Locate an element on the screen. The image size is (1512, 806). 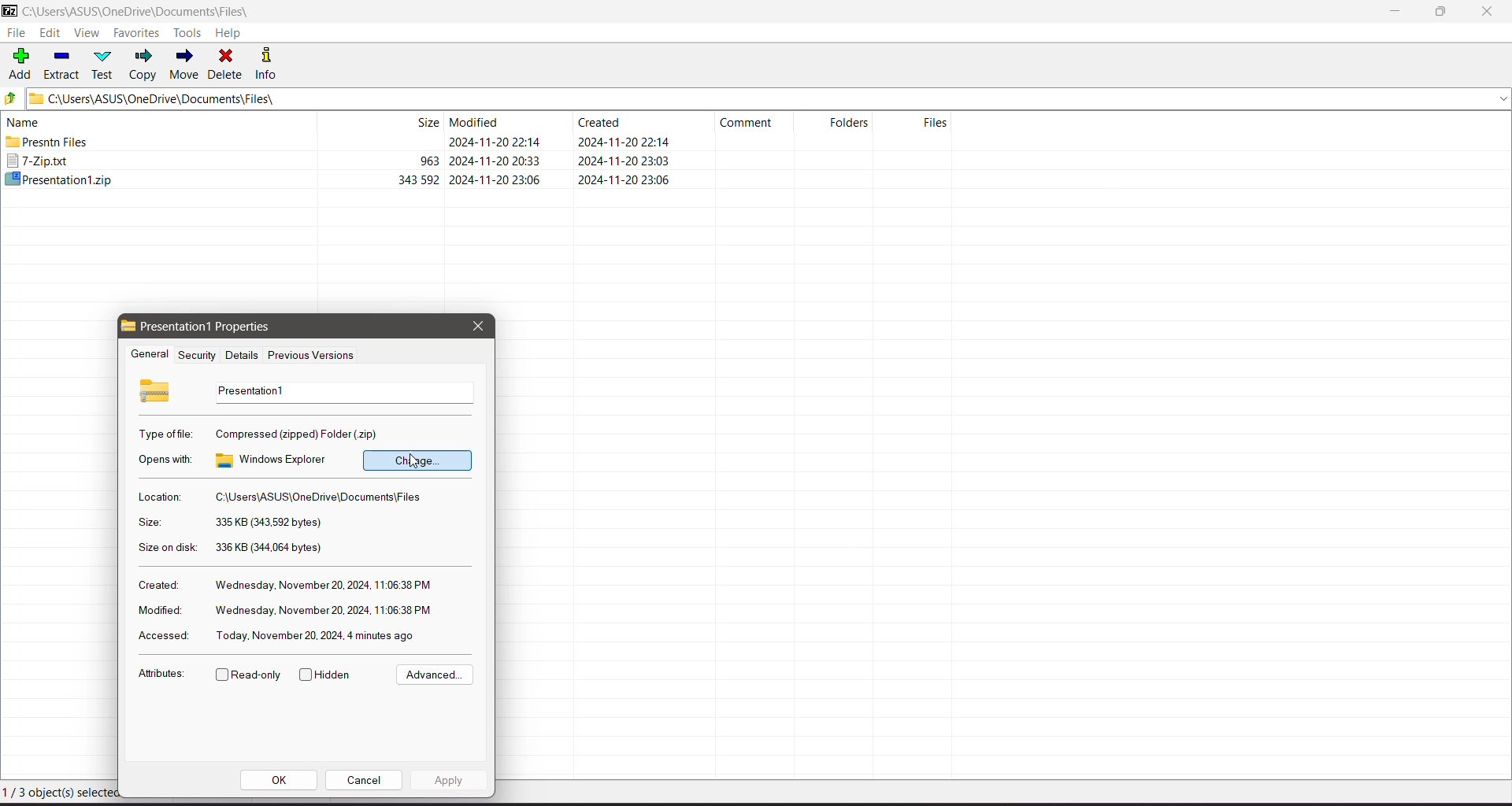
Location is located at coordinates (158, 497).